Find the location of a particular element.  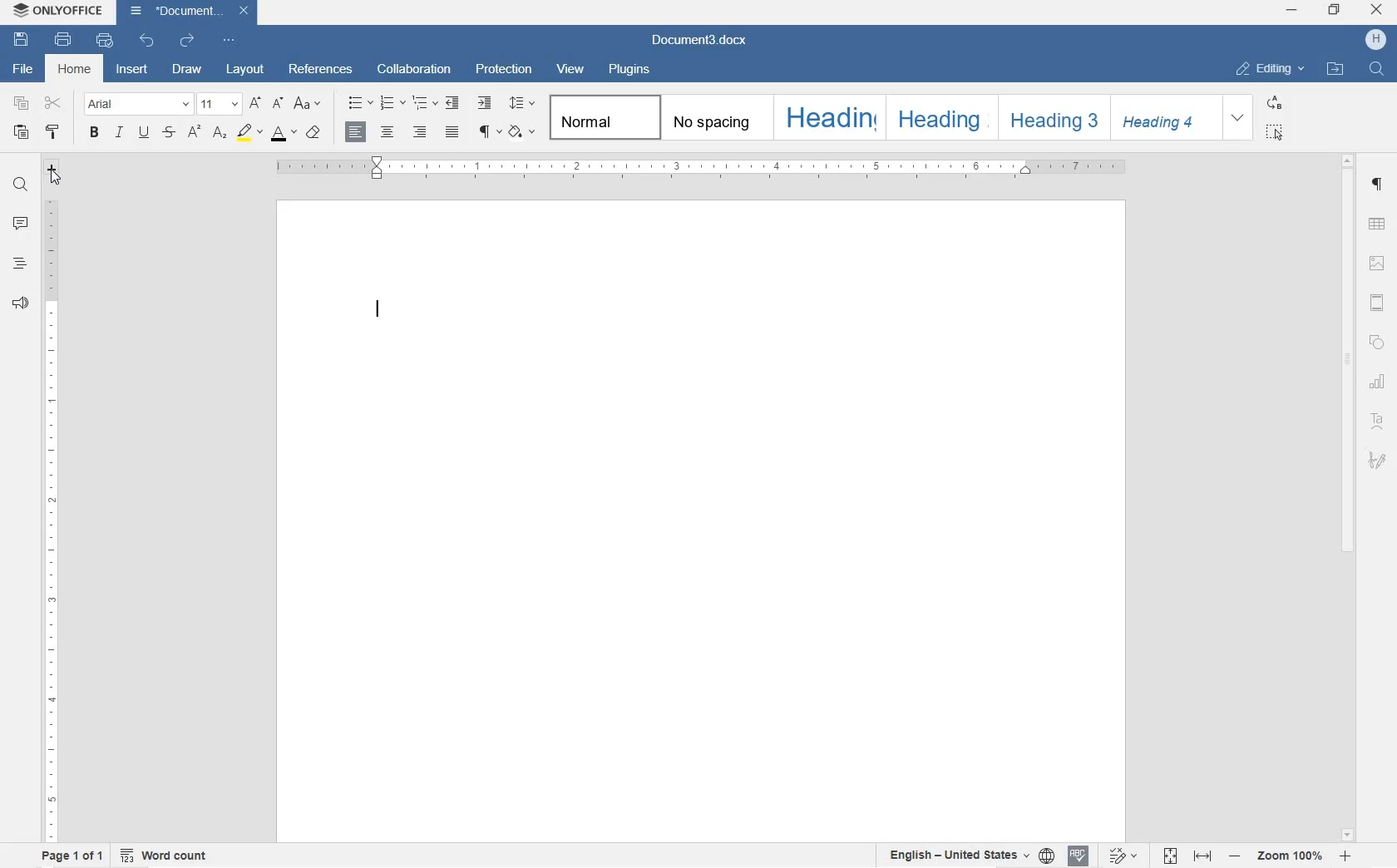

PARAGRAPH SETTINGS is located at coordinates (488, 133).